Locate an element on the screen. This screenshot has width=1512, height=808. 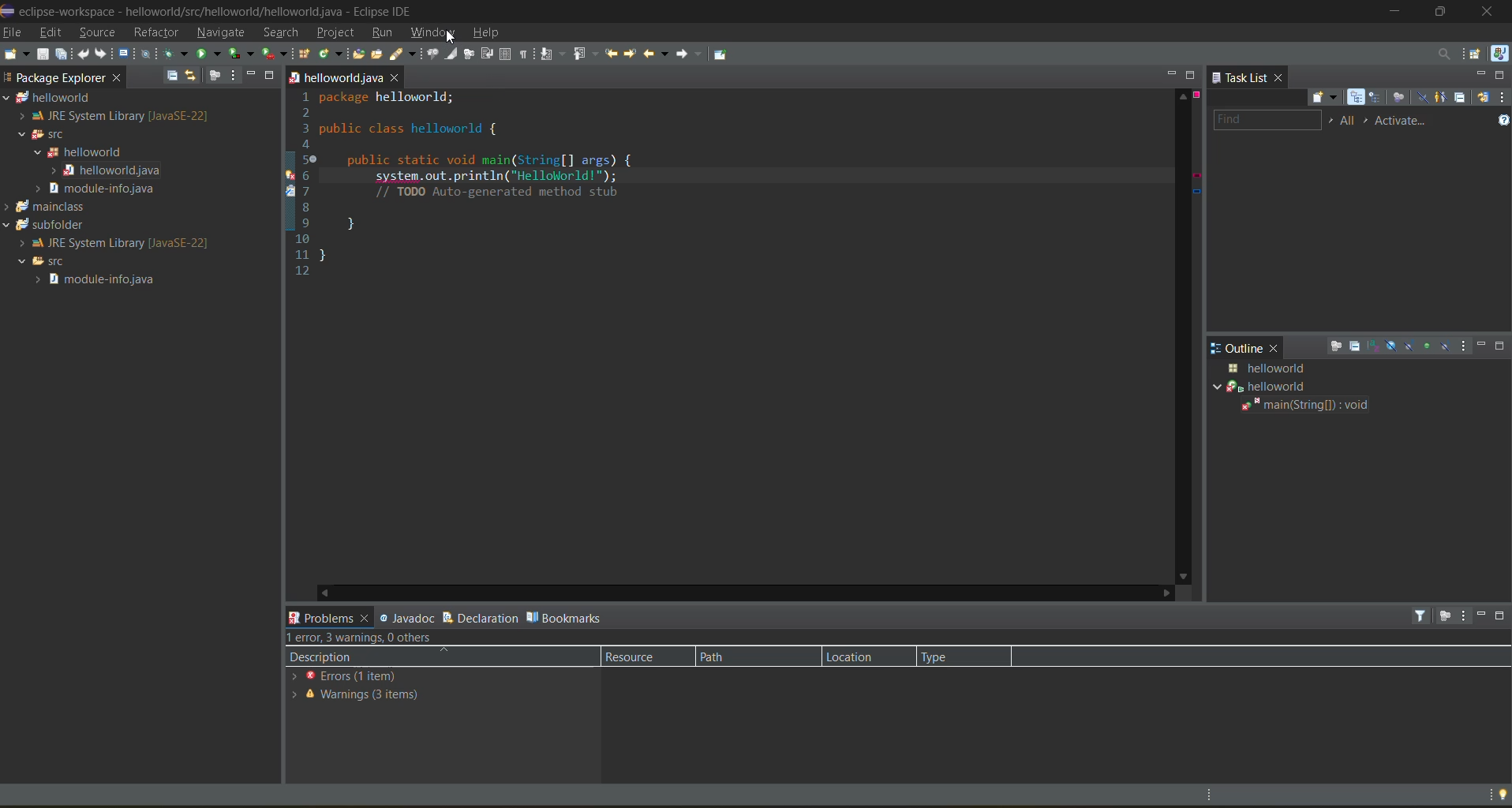
main(string[]:void is located at coordinates (1328, 406).